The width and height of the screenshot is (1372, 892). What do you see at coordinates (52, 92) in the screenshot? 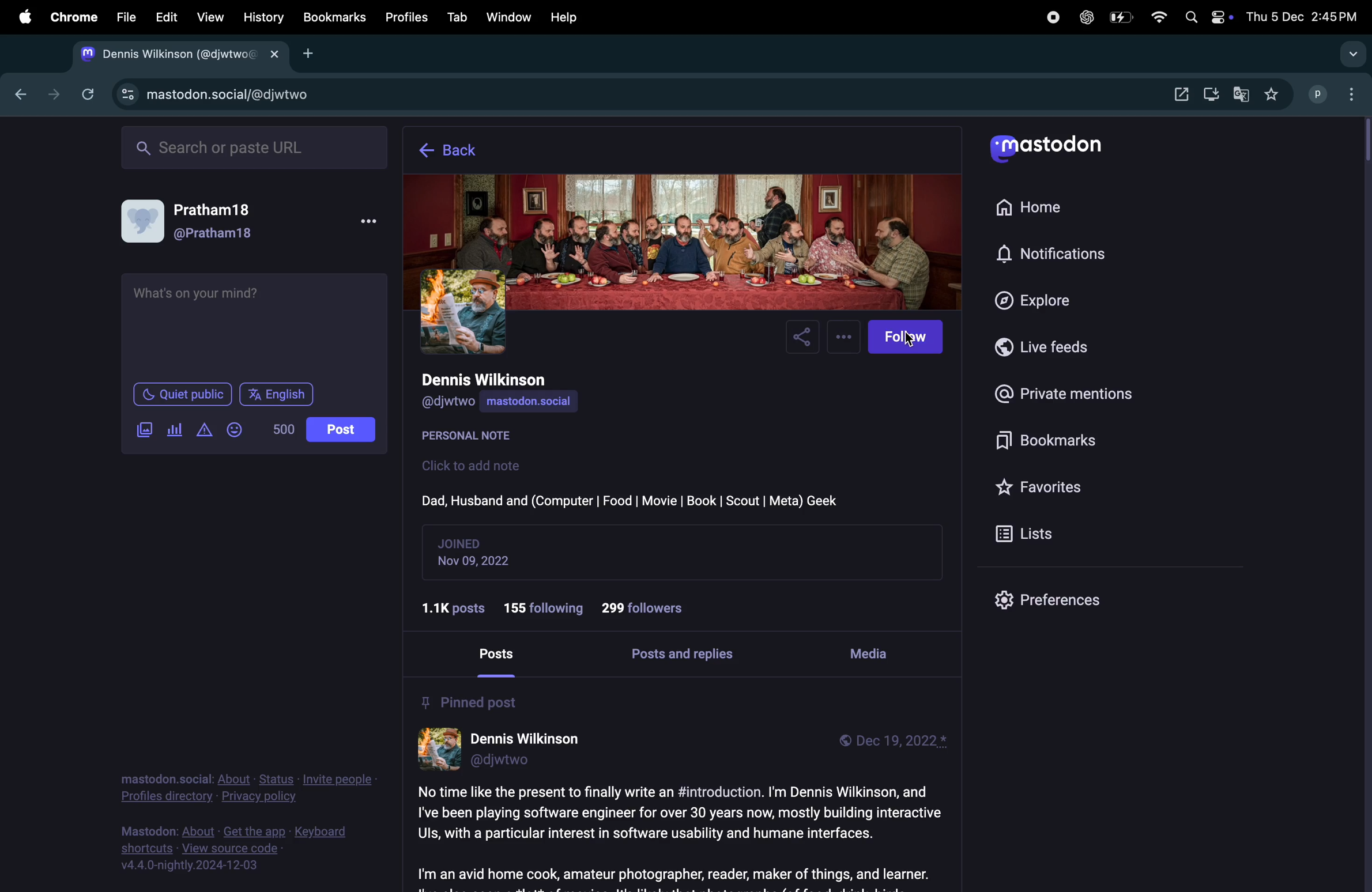
I see `forward` at bounding box center [52, 92].